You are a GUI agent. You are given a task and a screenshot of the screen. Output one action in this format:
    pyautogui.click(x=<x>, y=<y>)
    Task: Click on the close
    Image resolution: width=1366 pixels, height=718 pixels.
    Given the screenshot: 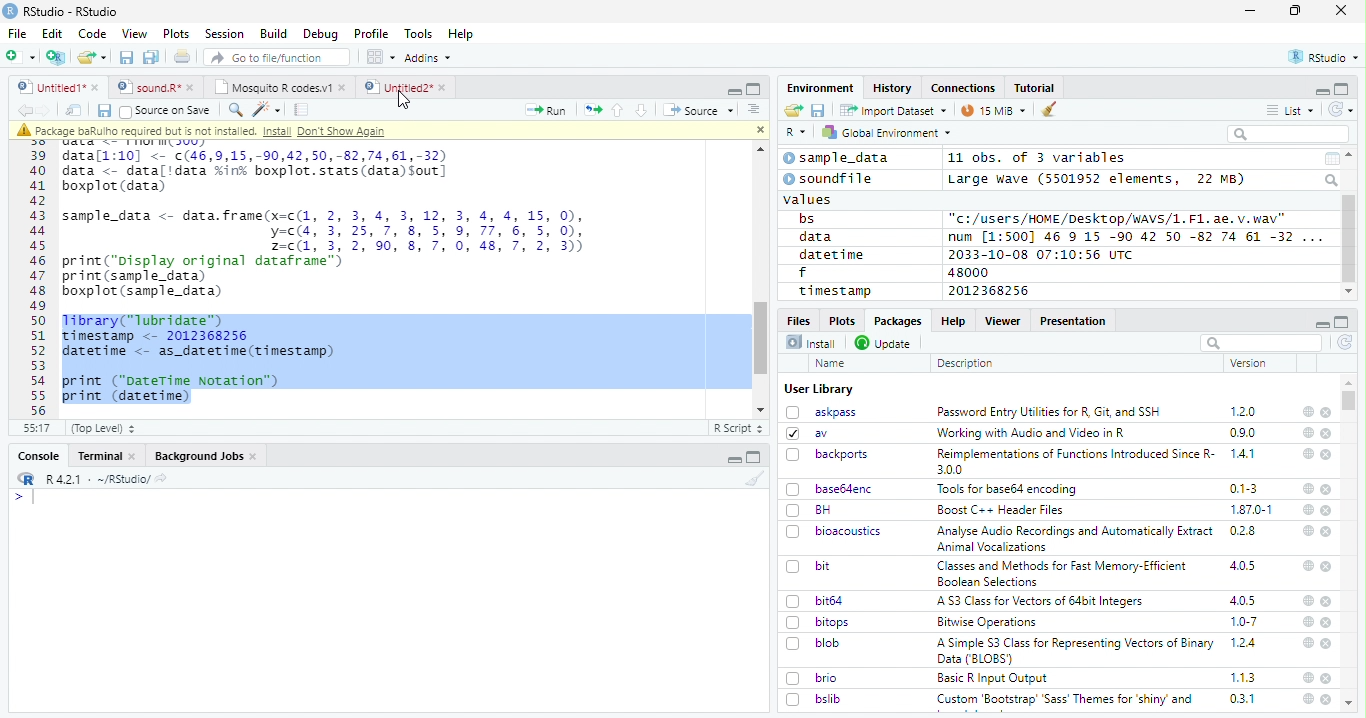 What is the action you would take?
    pyautogui.click(x=1326, y=699)
    